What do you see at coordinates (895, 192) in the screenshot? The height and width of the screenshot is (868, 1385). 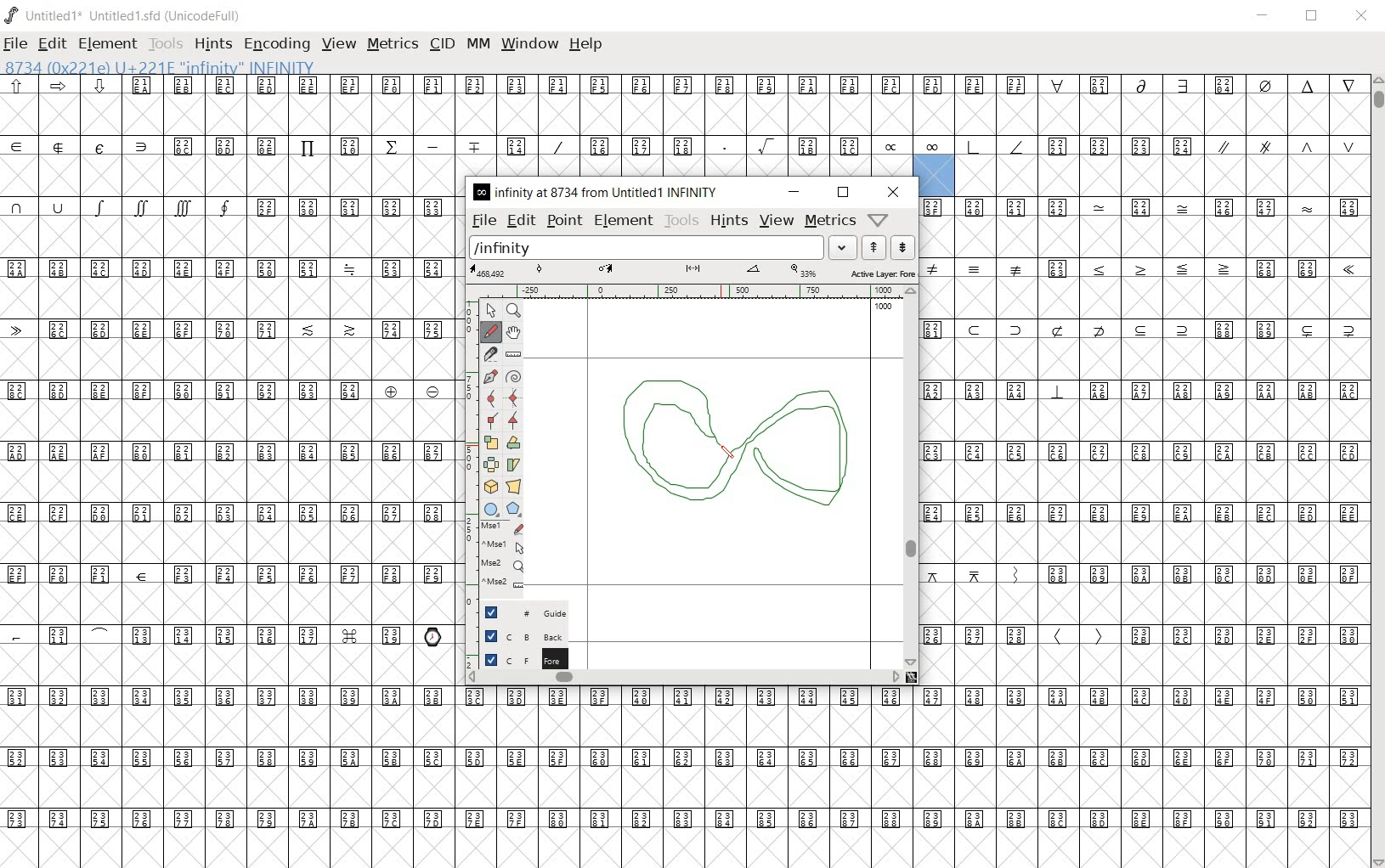 I see `close` at bounding box center [895, 192].